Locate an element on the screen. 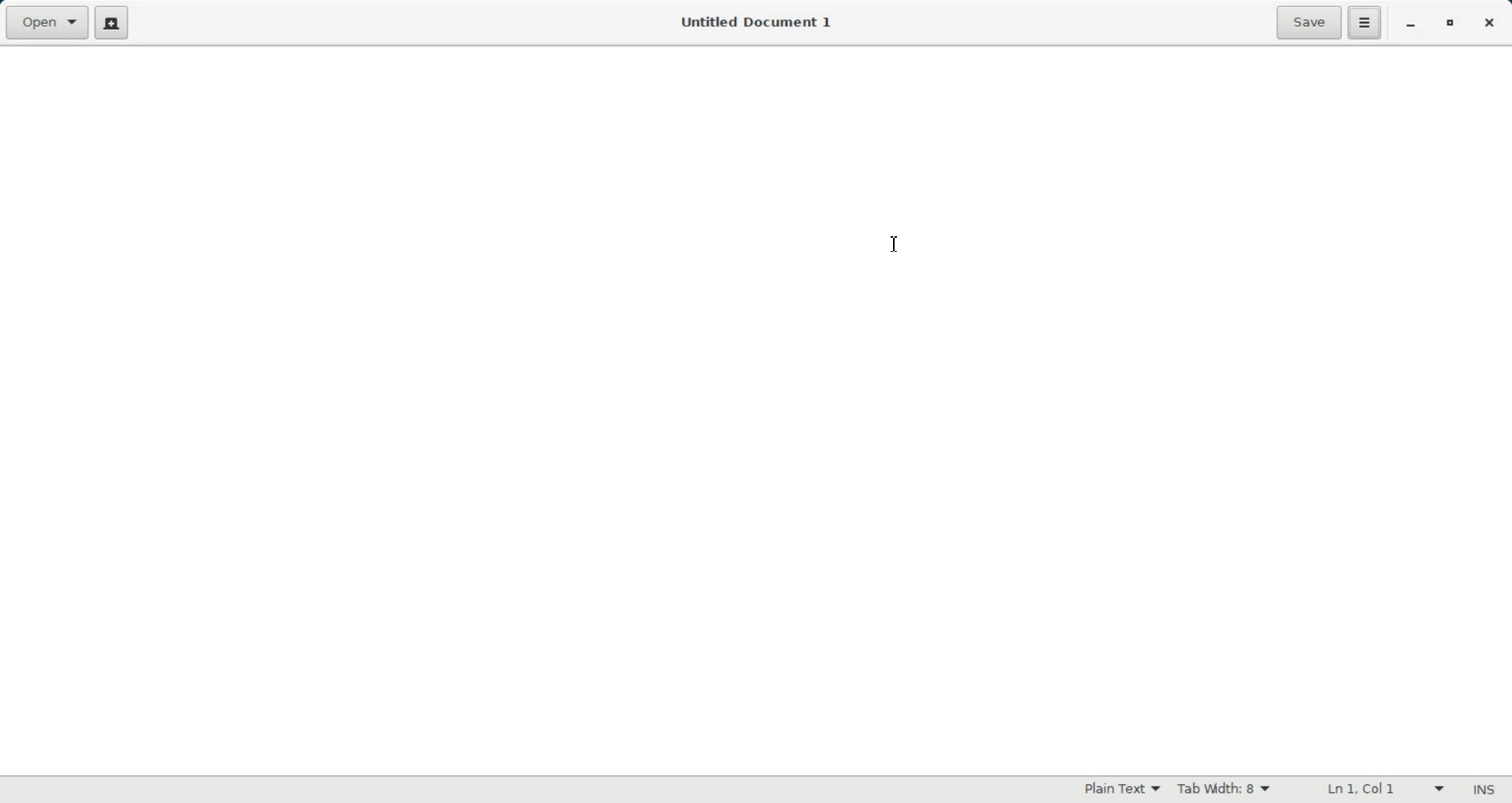 This screenshot has height=803, width=1512. Close is located at coordinates (1489, 22).